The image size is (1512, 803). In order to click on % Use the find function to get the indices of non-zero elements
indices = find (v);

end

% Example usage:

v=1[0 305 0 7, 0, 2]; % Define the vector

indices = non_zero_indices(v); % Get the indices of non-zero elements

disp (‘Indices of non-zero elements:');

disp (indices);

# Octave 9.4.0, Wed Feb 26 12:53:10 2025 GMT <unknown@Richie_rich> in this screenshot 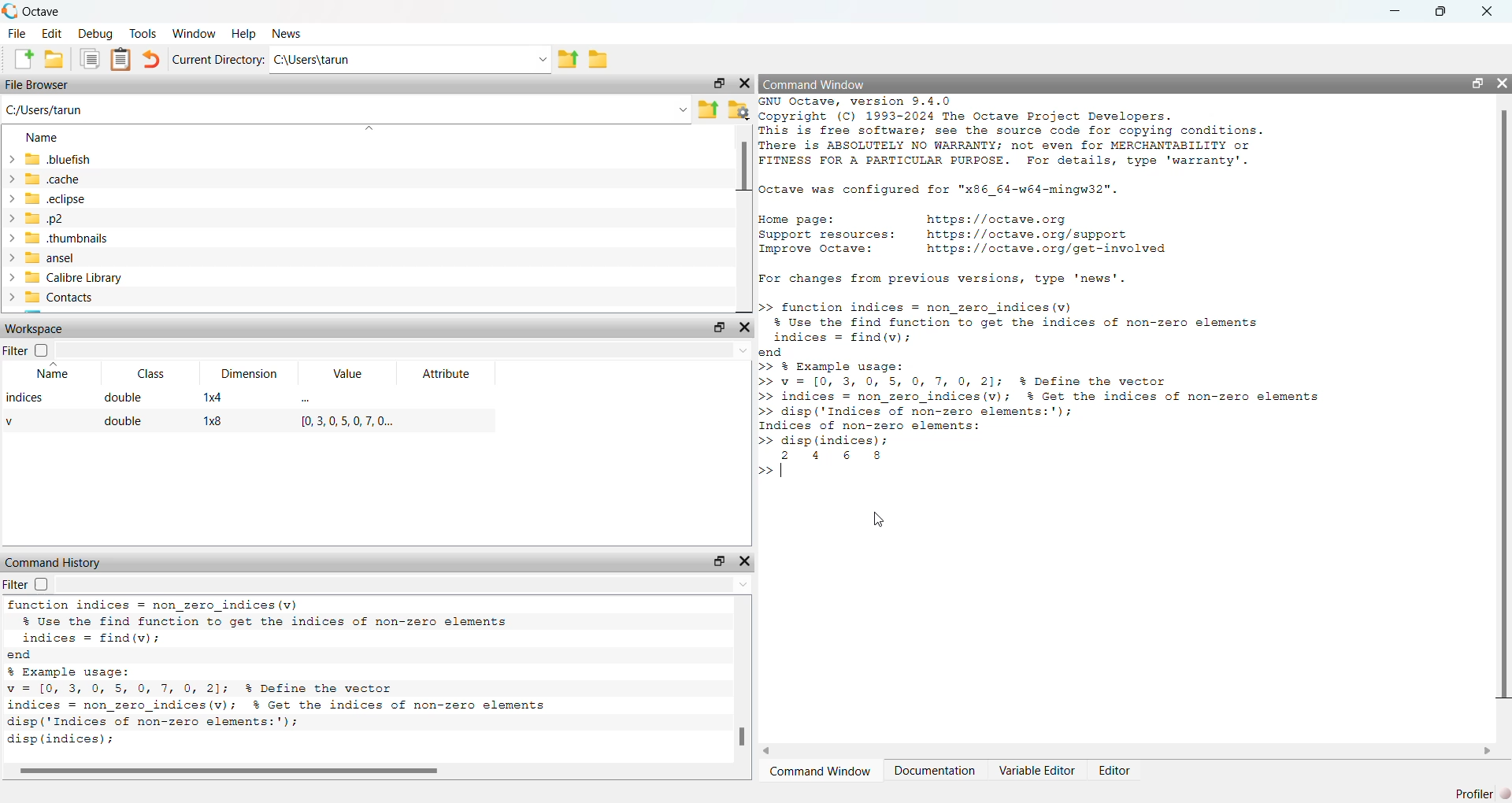, I will do `click(317, 676)`.